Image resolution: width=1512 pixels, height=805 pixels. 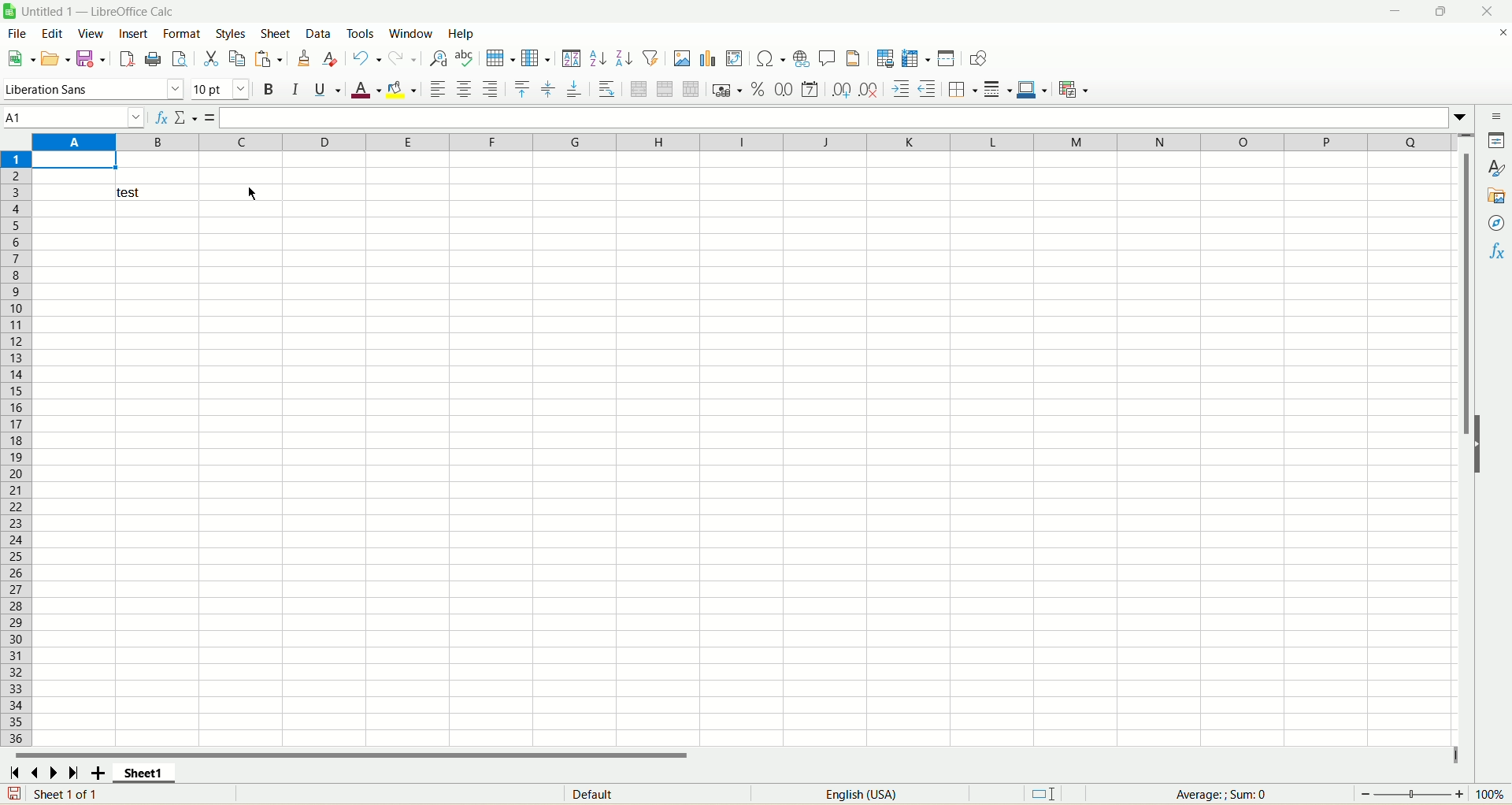 What do you see at coordinates (366, 58) in the screenshot?
I see `undo` at bounding box center [366, 58].